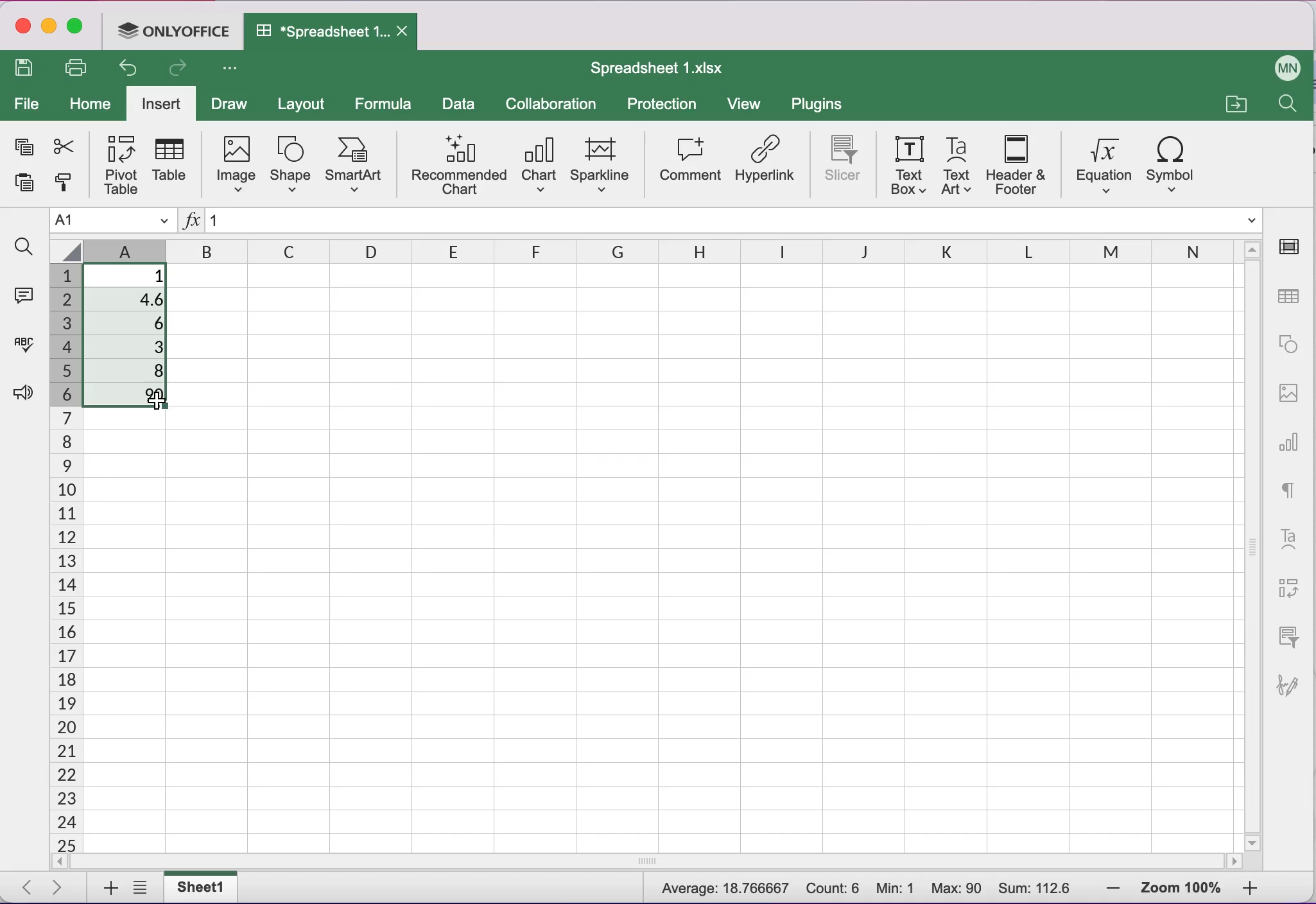 The image size is (1316, 904). What do you see at coordinates (24, 248) in the screenshot?
I see `find` at bounding box center [24, 248].